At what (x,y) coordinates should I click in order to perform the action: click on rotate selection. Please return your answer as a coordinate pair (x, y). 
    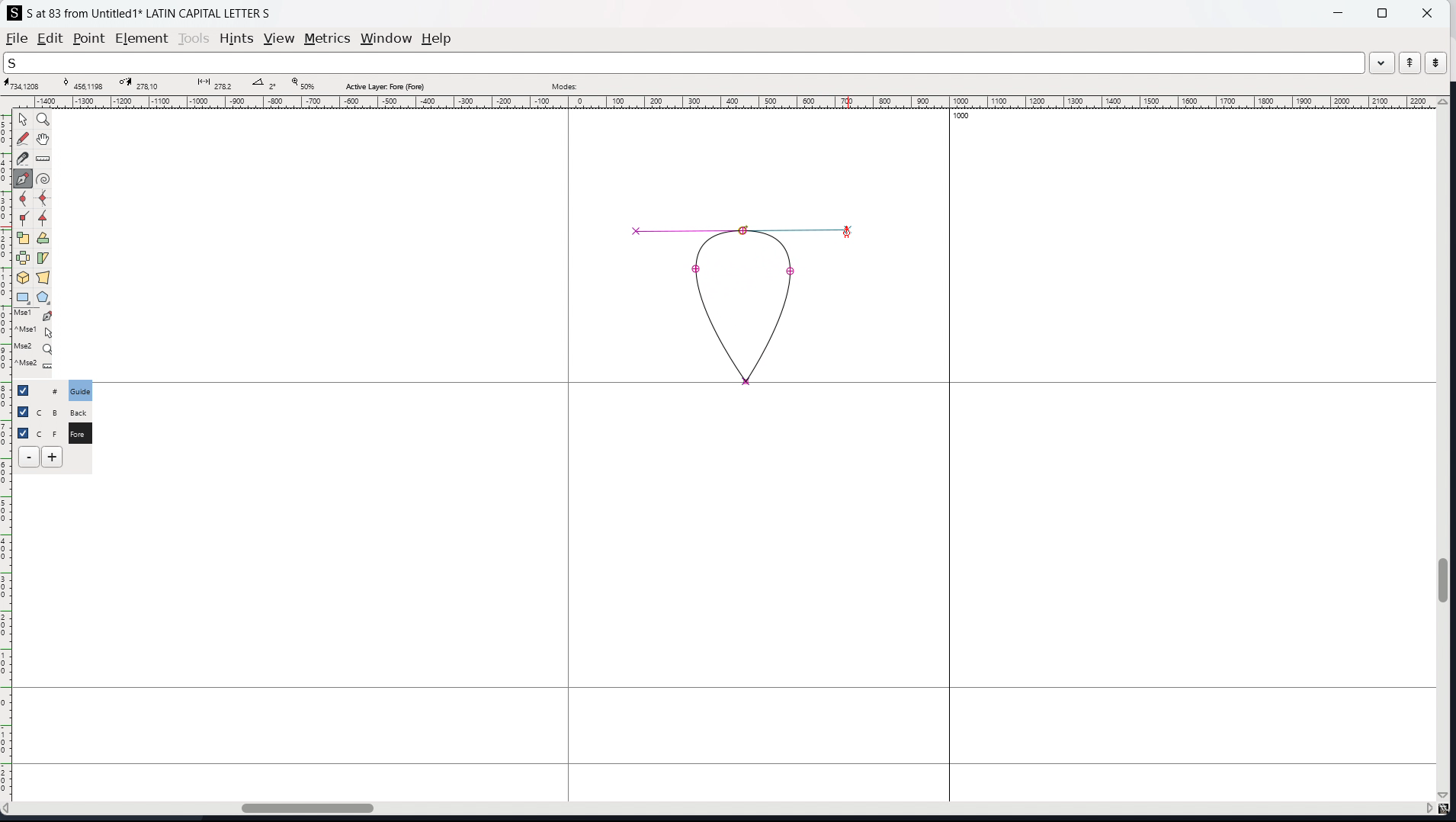
    Looking at the image, I should click on (43, 239).